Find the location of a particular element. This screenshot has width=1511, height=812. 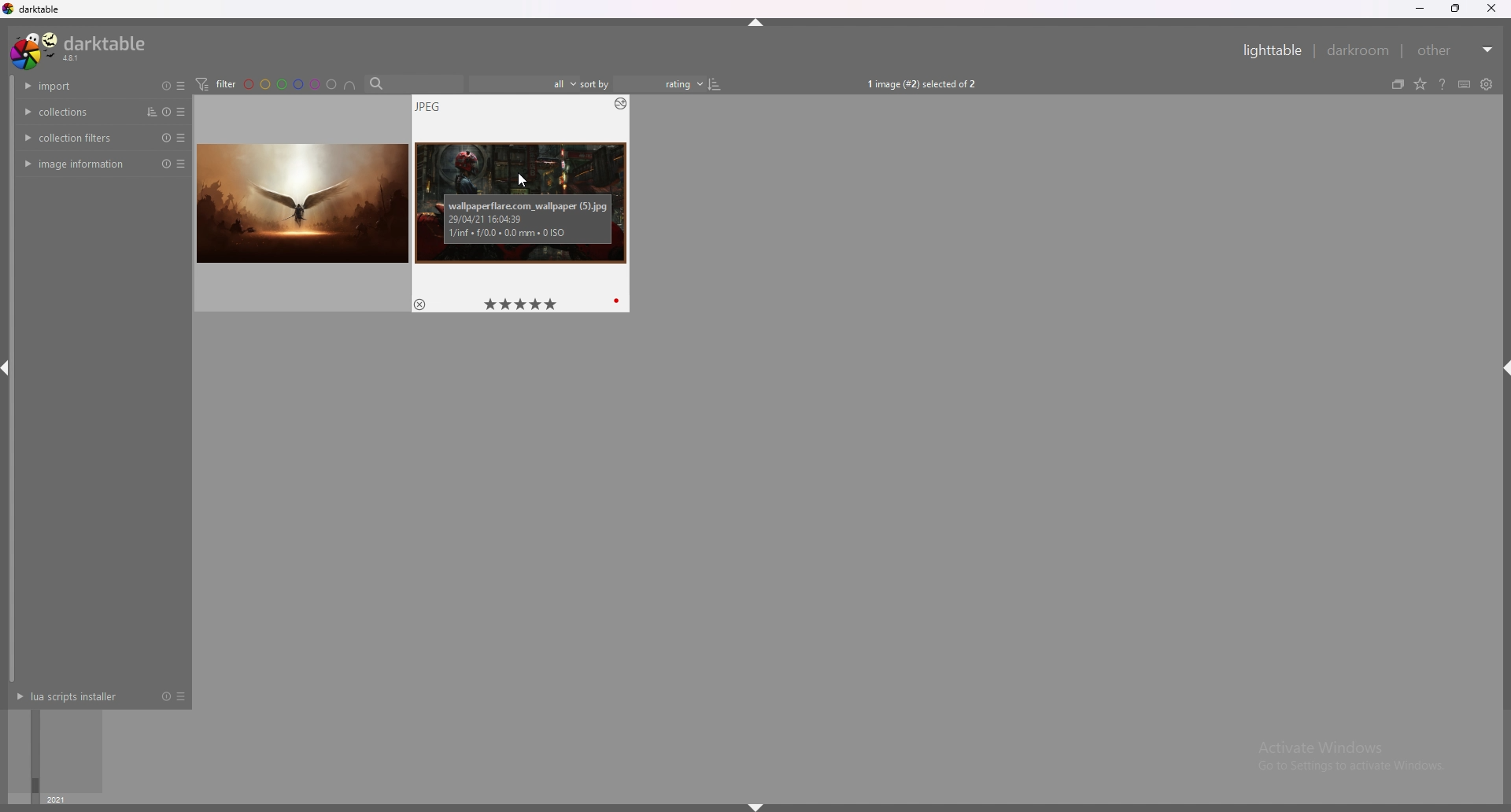

collection filters is located at coordinates (77, 137).